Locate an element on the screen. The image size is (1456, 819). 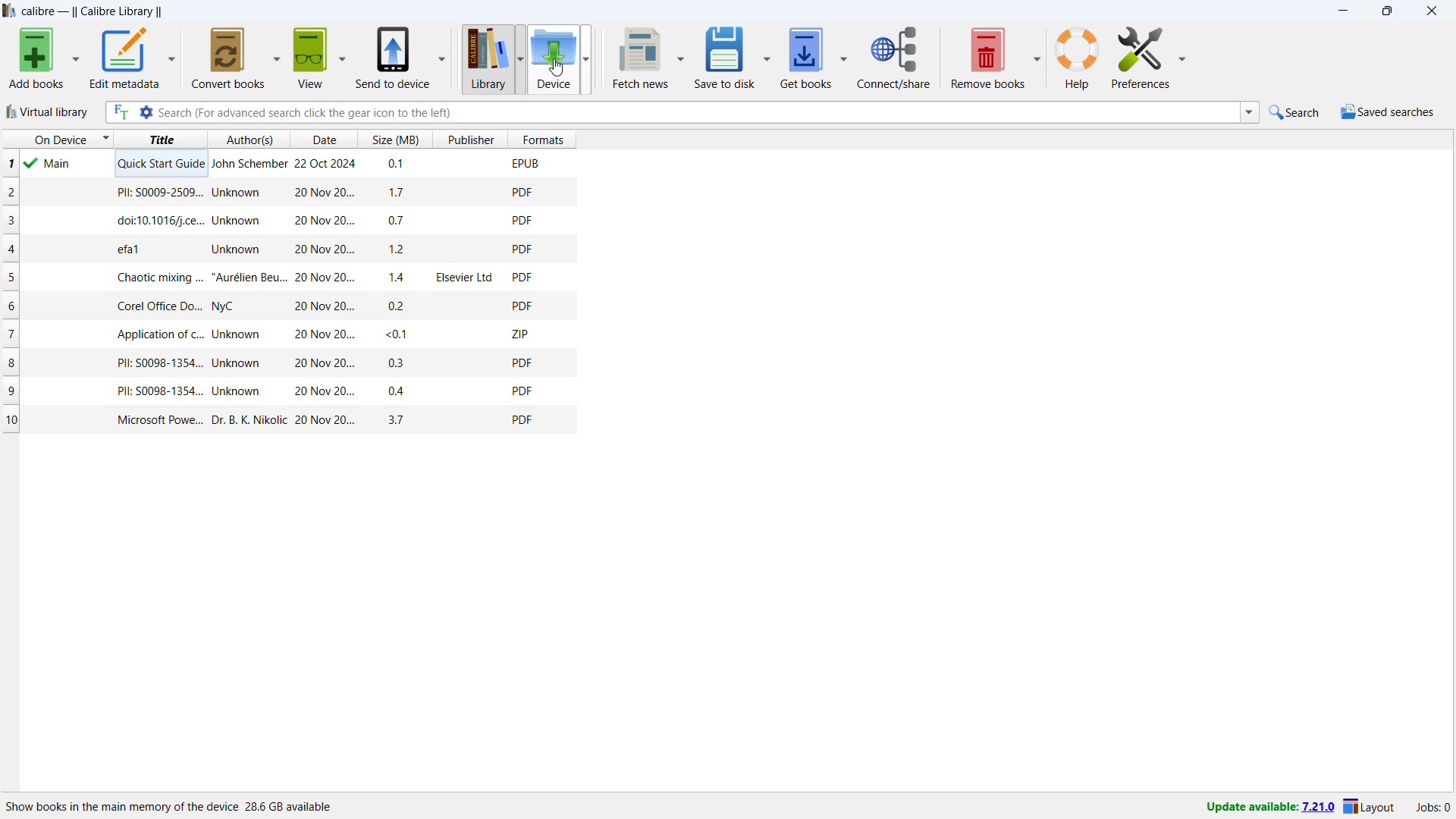
details of software program is located at coordinates (172, 804).